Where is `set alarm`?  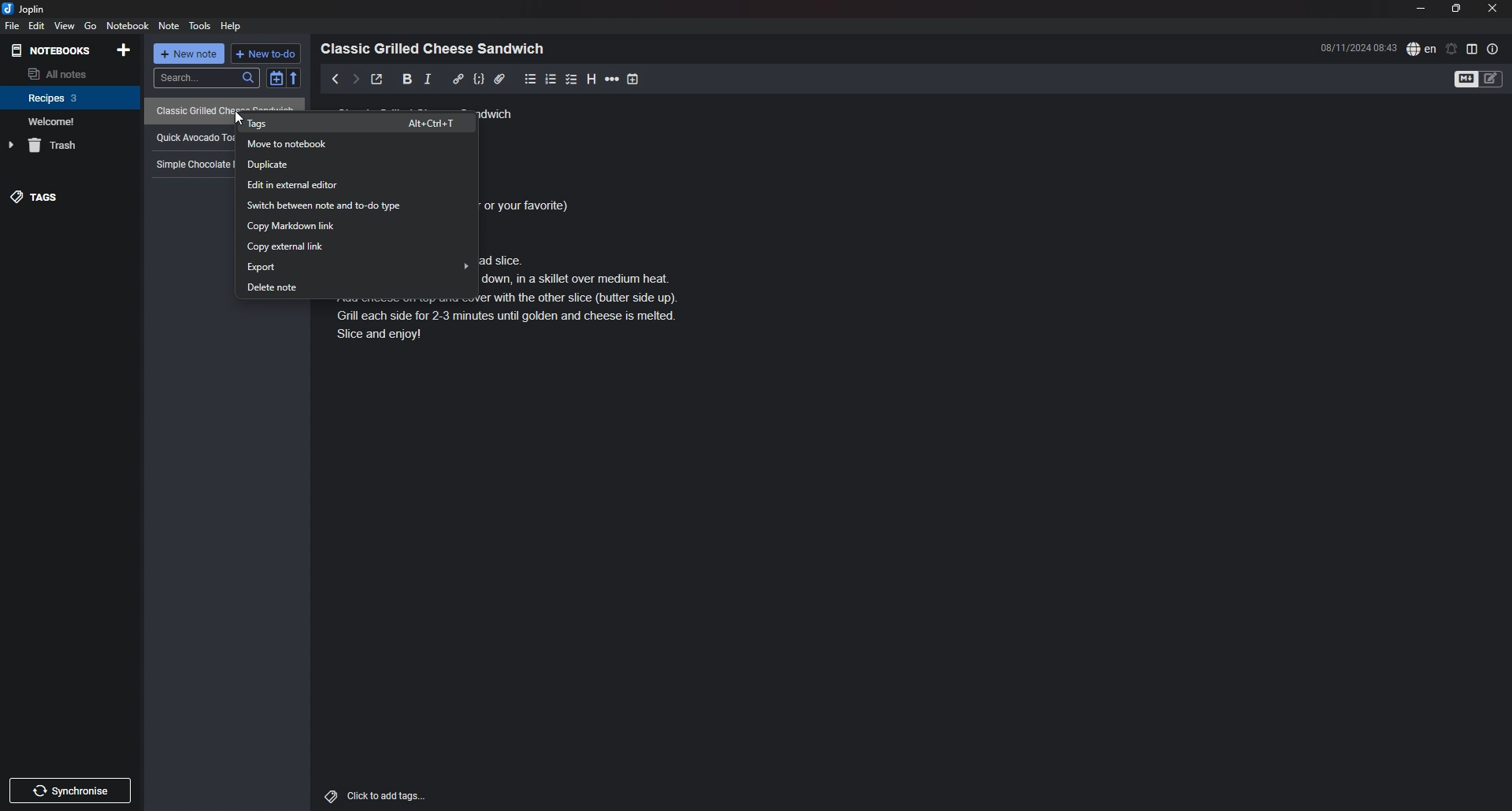
set alarm is located at coordinates (1452, 48).